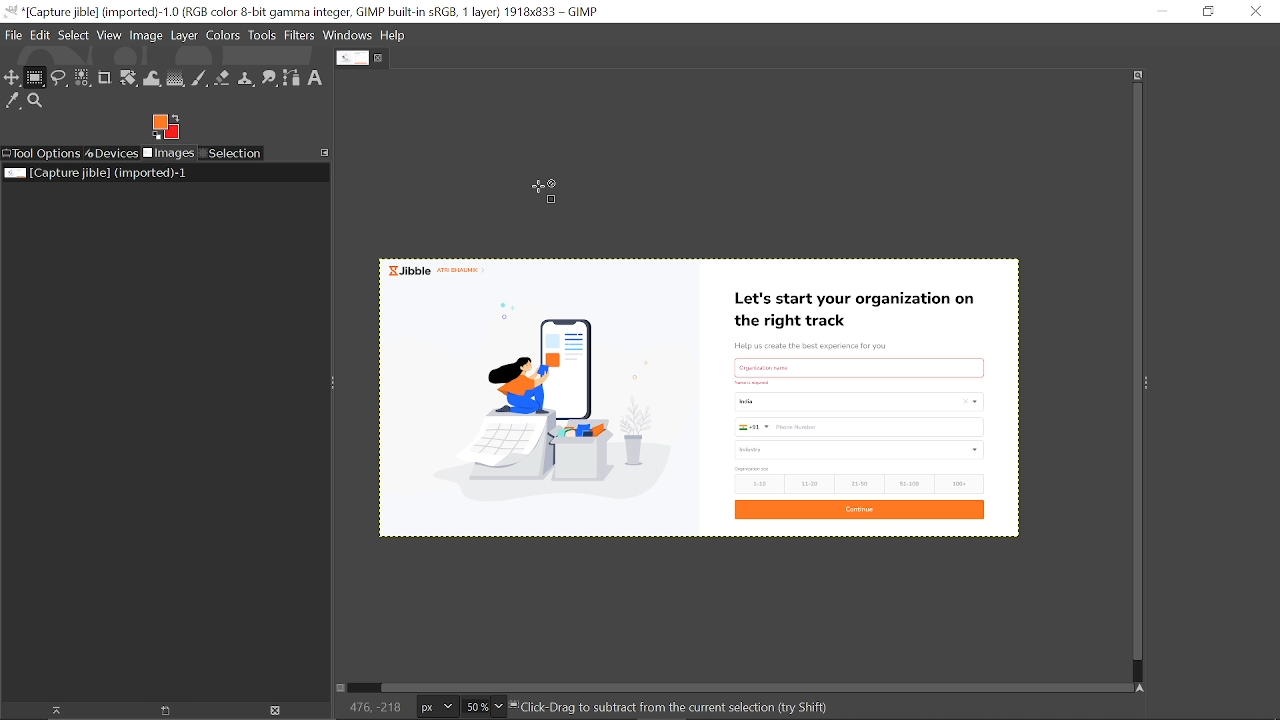  Describe the element at coordinates (50, 710) in the screenshot. I see `Raise display for this image` at that location.